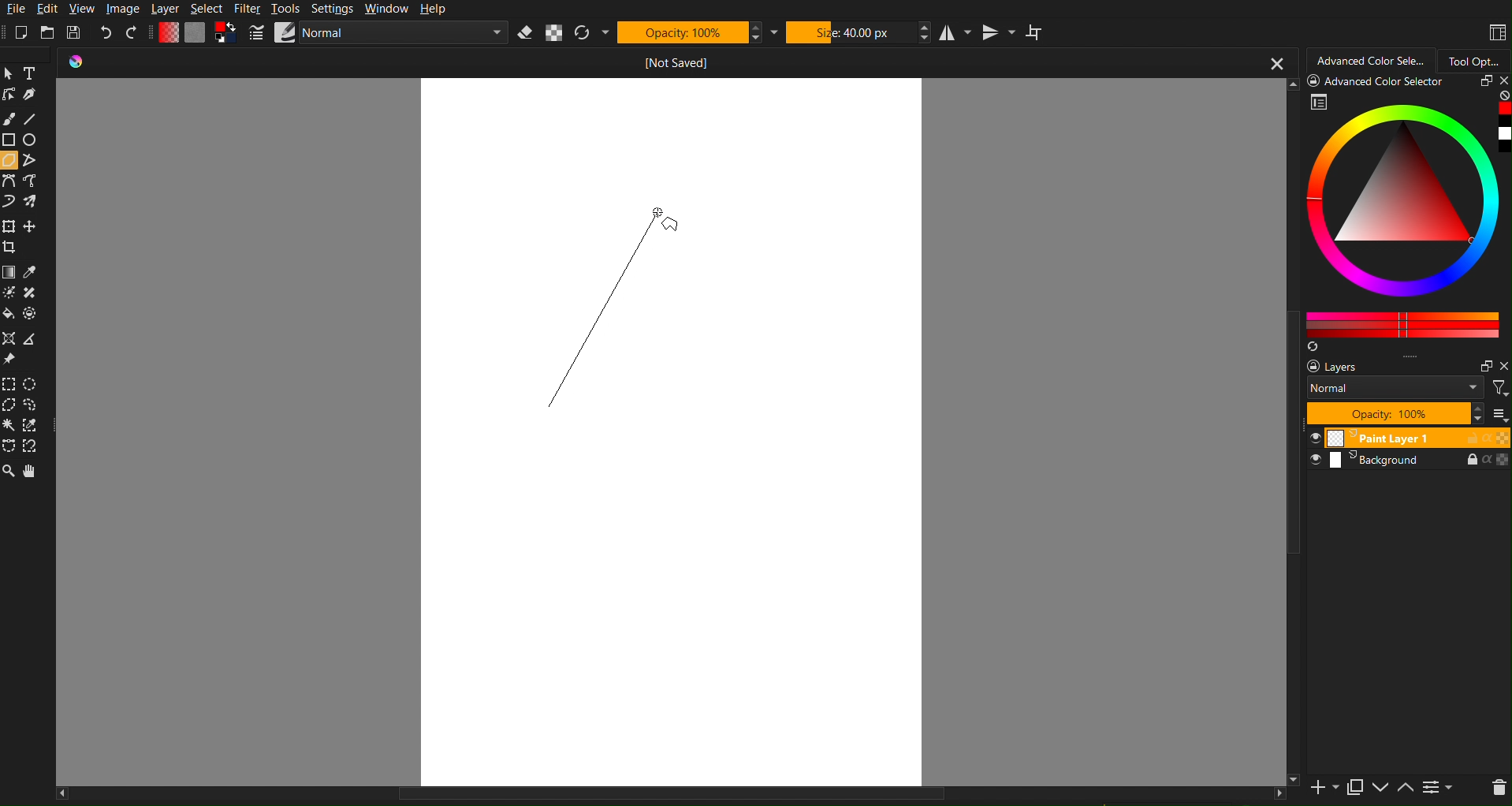 The width and height of the screenshot is (1512, 806). What do you see at coordinates (525, 33) in the screenshot?
I see `Erase` at bounding box center [525, 33].